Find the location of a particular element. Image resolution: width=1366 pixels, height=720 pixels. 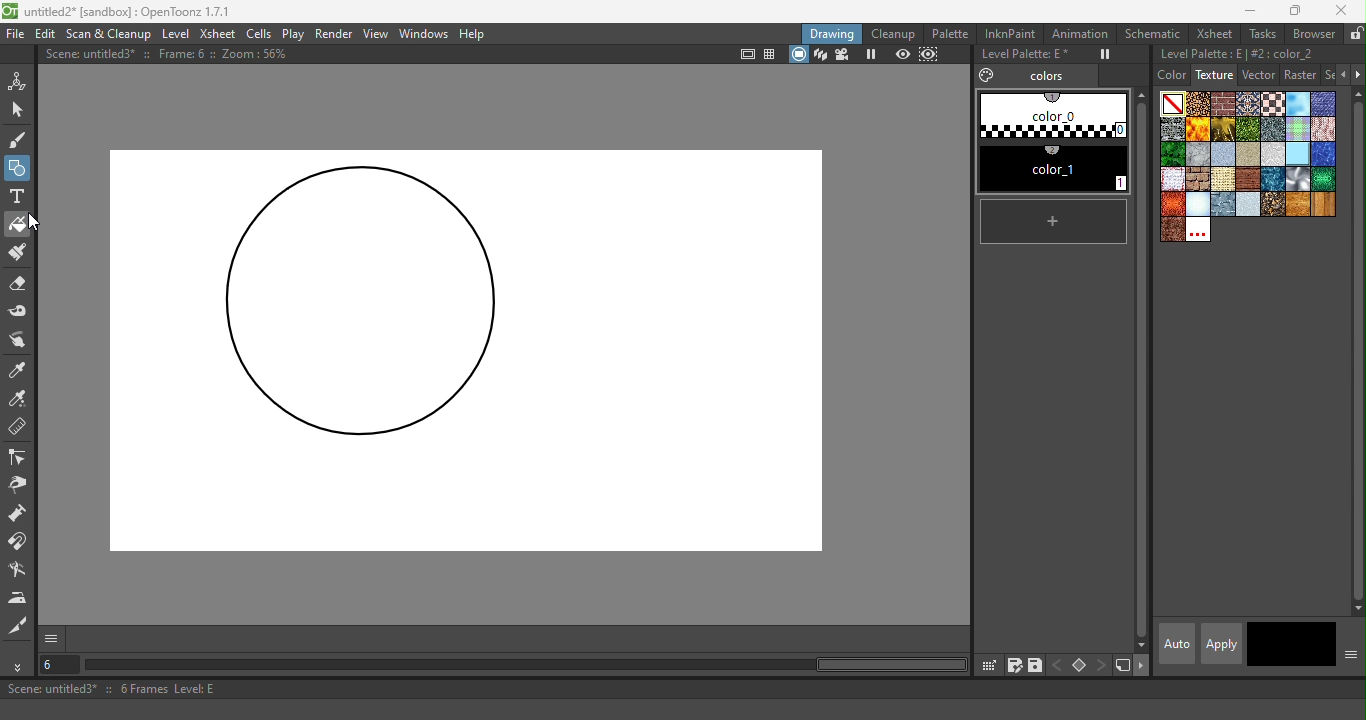

Next is located at coordinates (1357, 75).